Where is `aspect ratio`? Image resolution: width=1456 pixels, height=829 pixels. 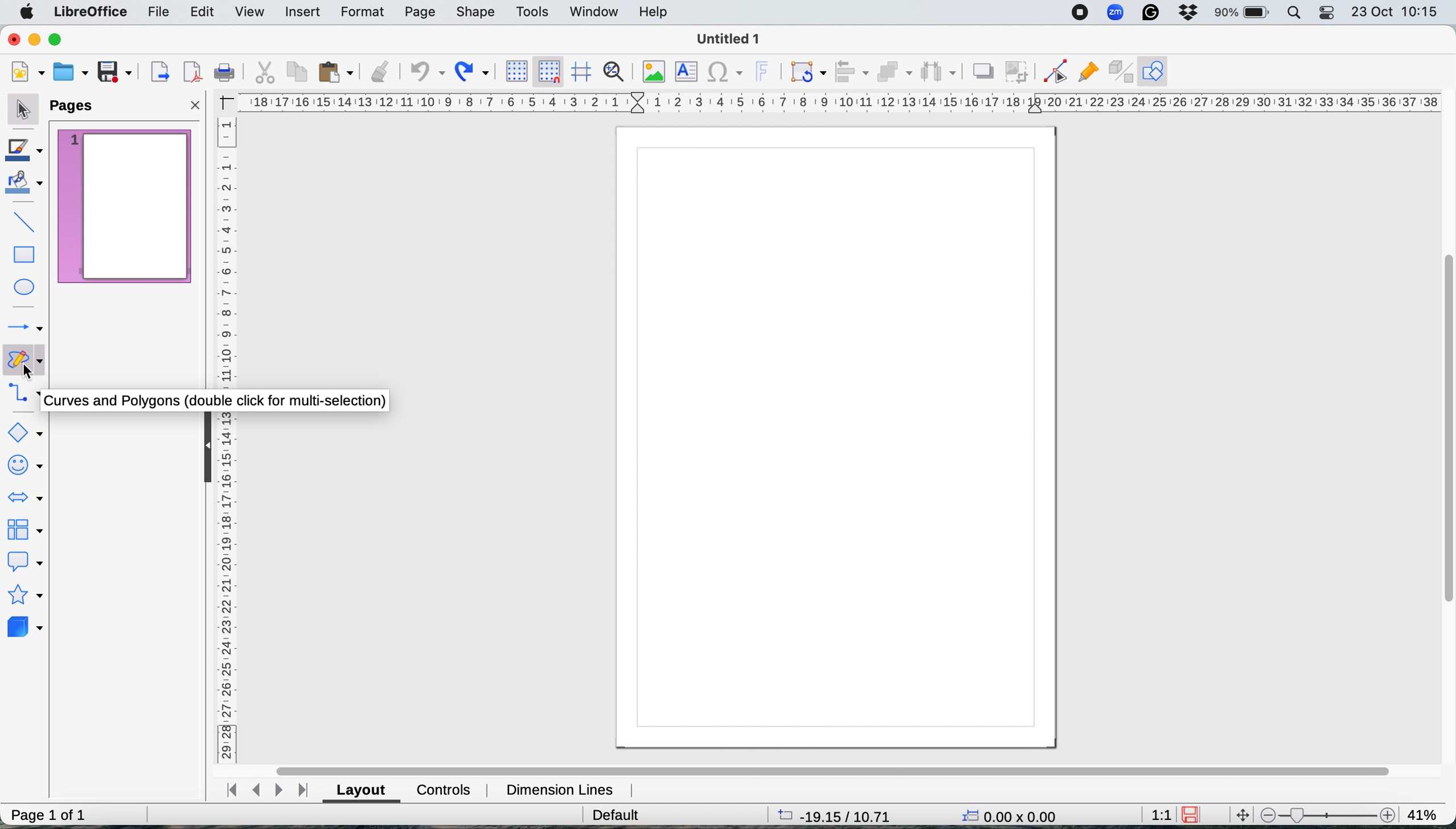
aspect ratio is located at coordinates (1158, 814).